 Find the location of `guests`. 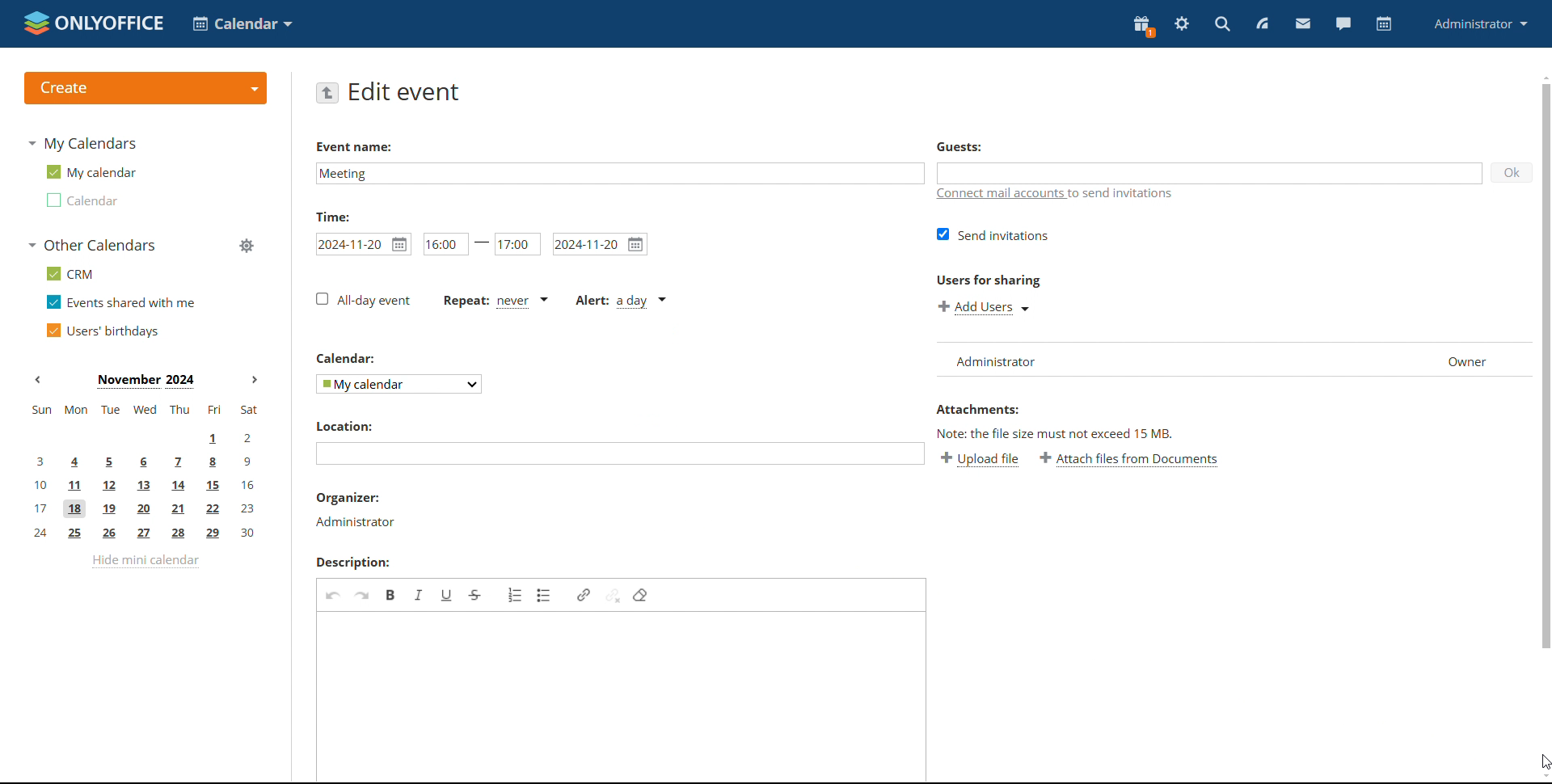

guests is located at coordinates (959, 149).